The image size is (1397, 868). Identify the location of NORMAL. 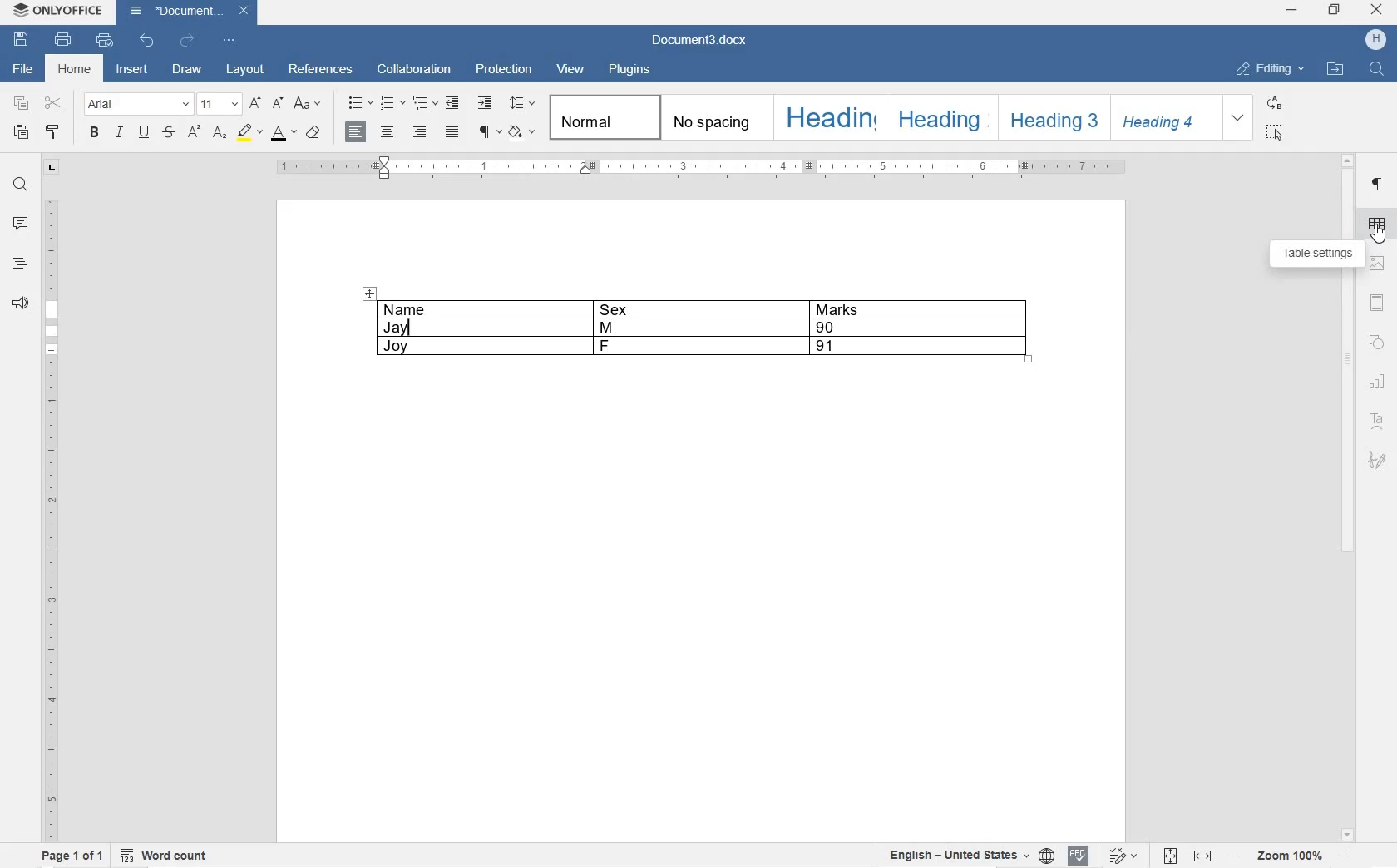
(598, 117).